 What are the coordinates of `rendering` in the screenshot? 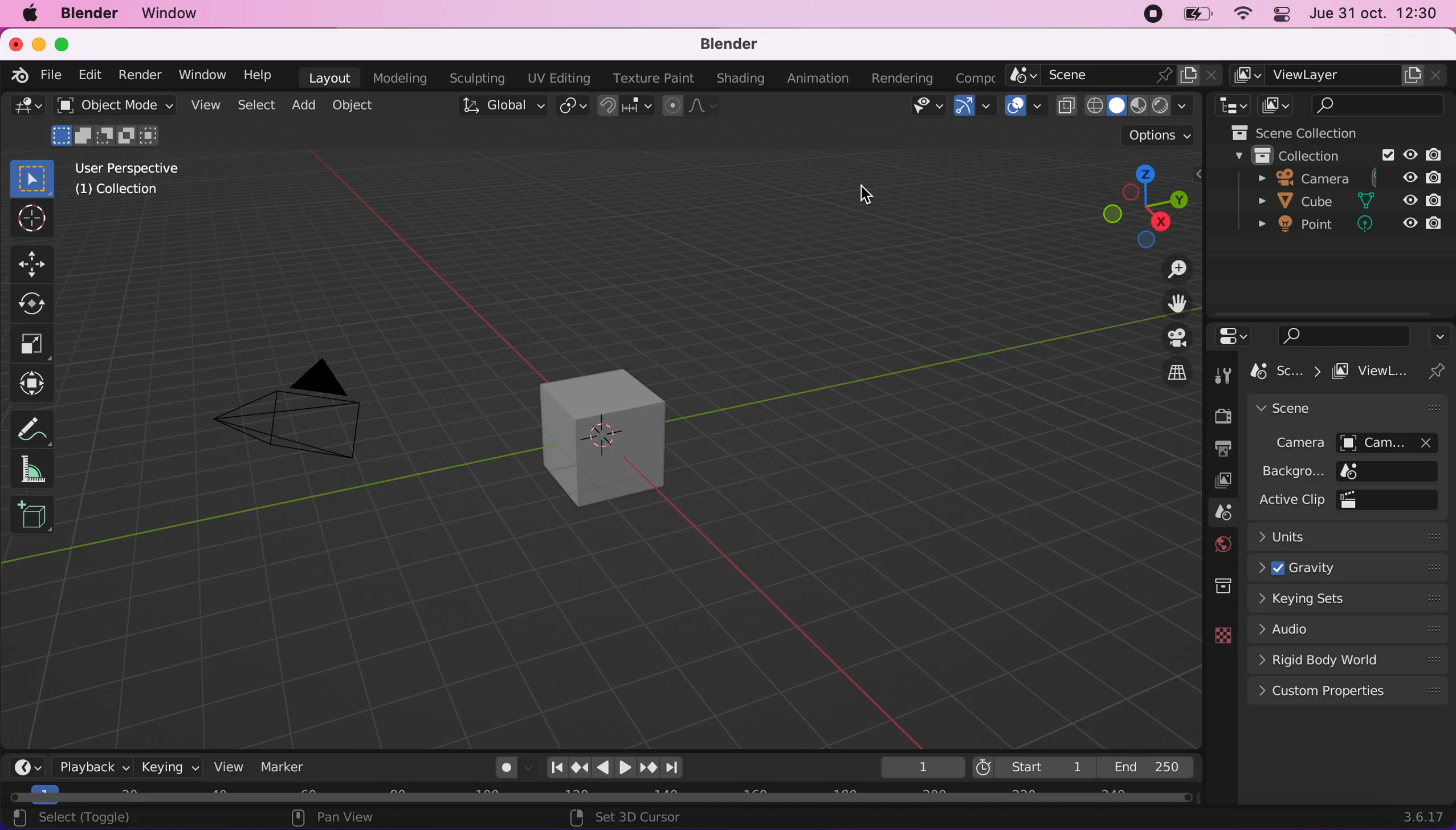 It's located at (906, 78).